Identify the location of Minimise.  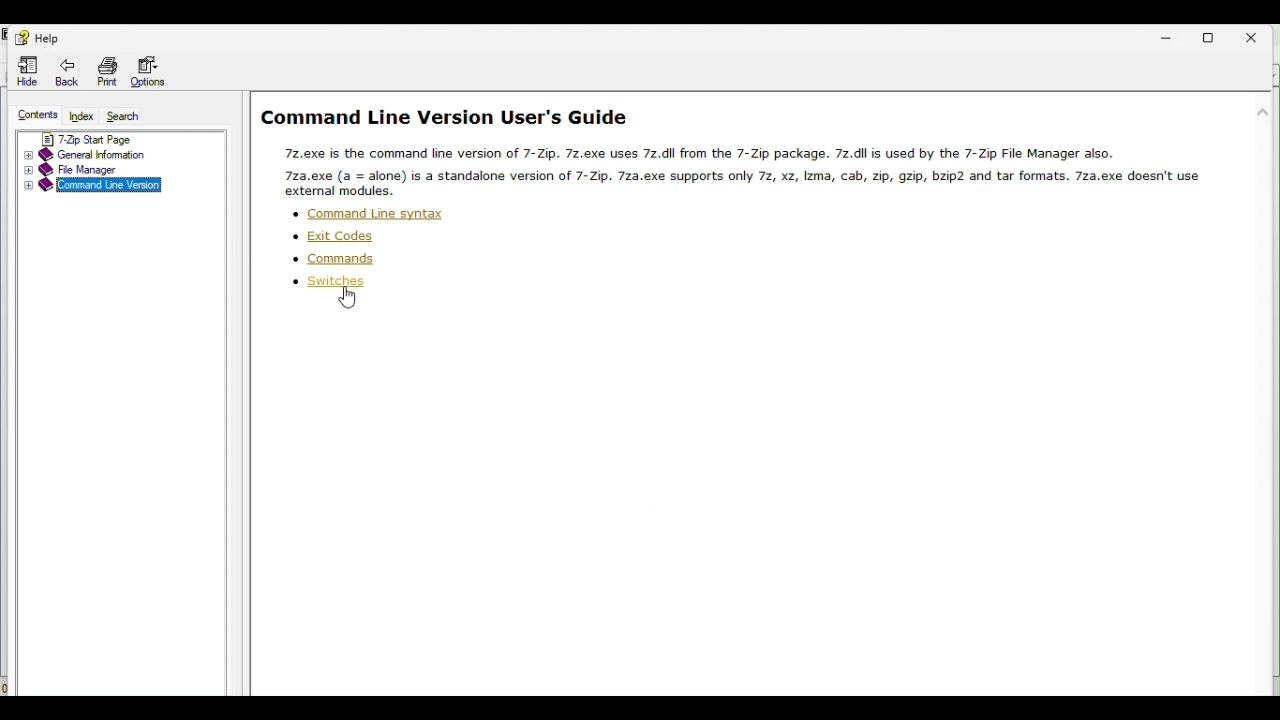
(1171, 35).